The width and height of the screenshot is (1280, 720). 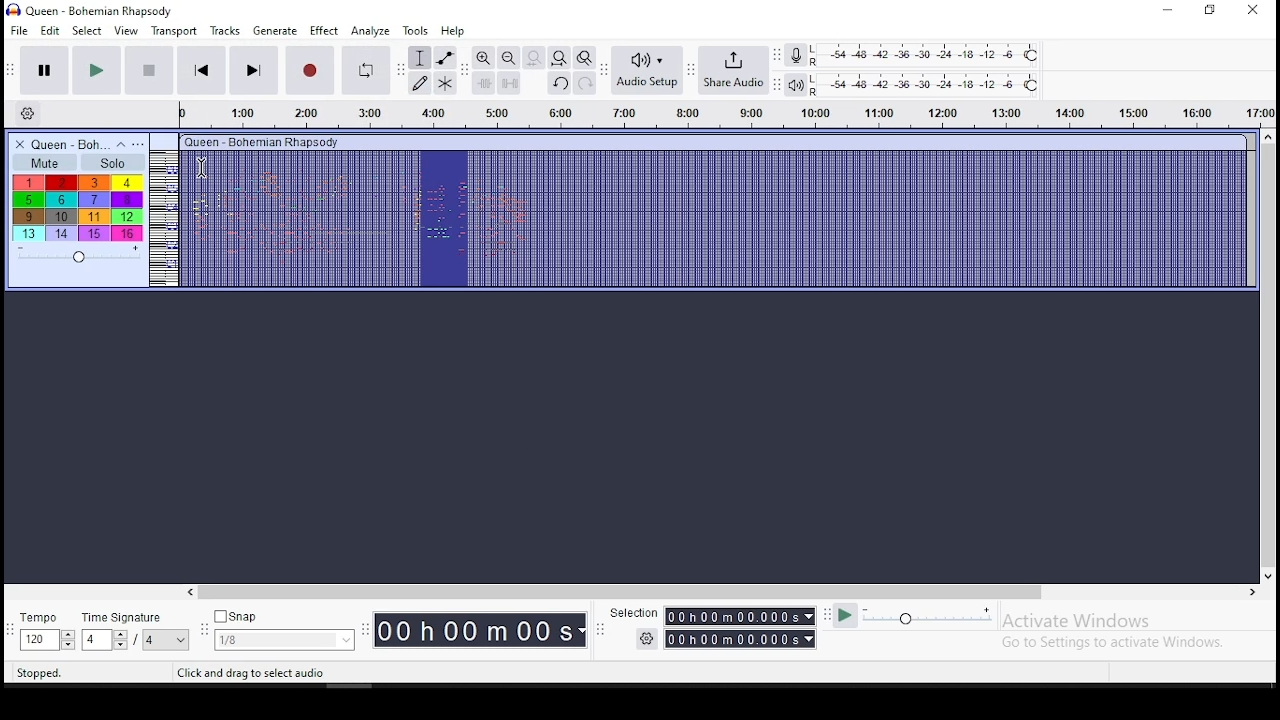 I want to click on share audio, so click(x=735, y=72).